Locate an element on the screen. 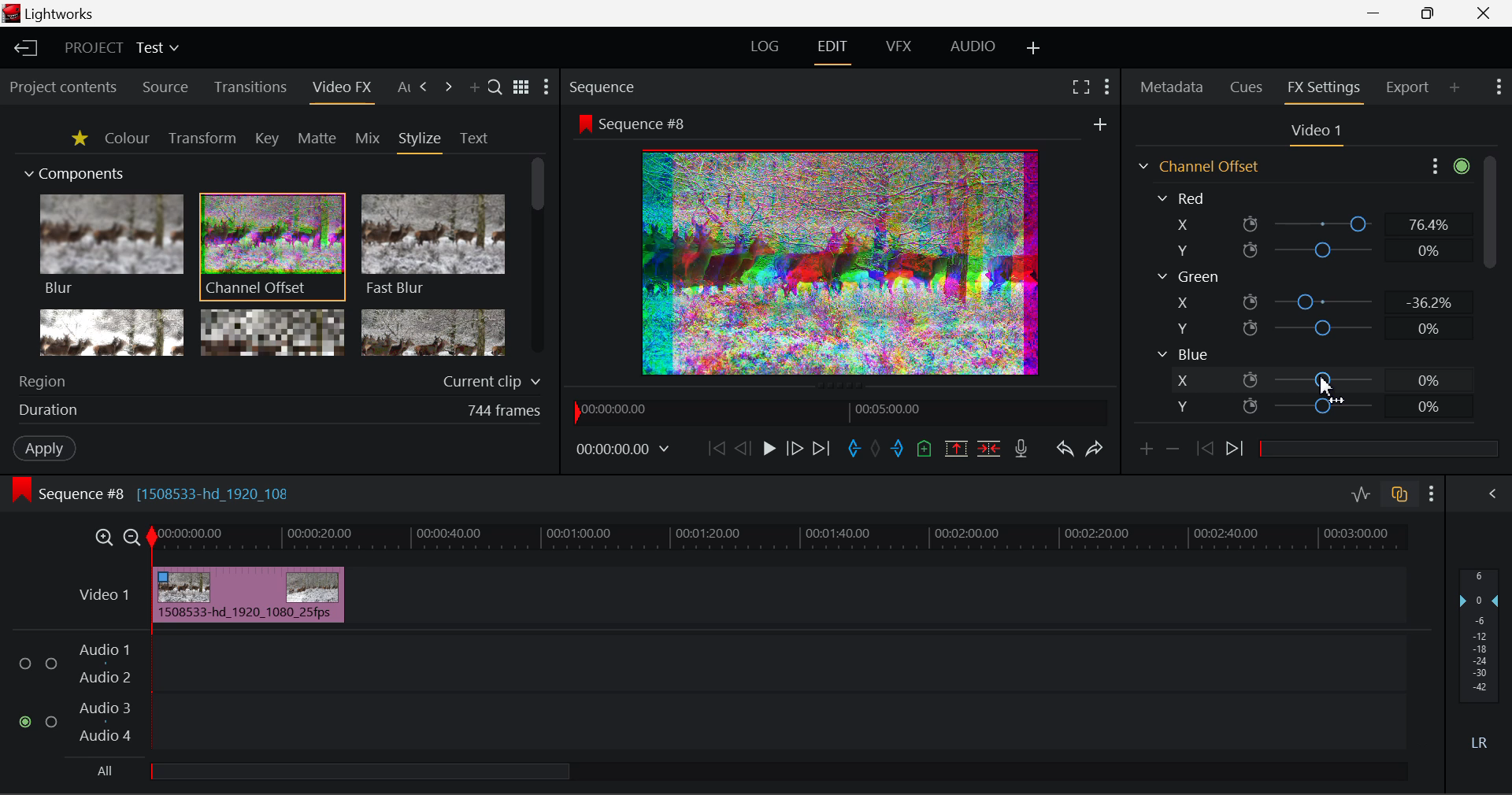 Image resolution: width=1512 pixels, height=795 pixels. Effect Applied is located at coordinates (250, 592).